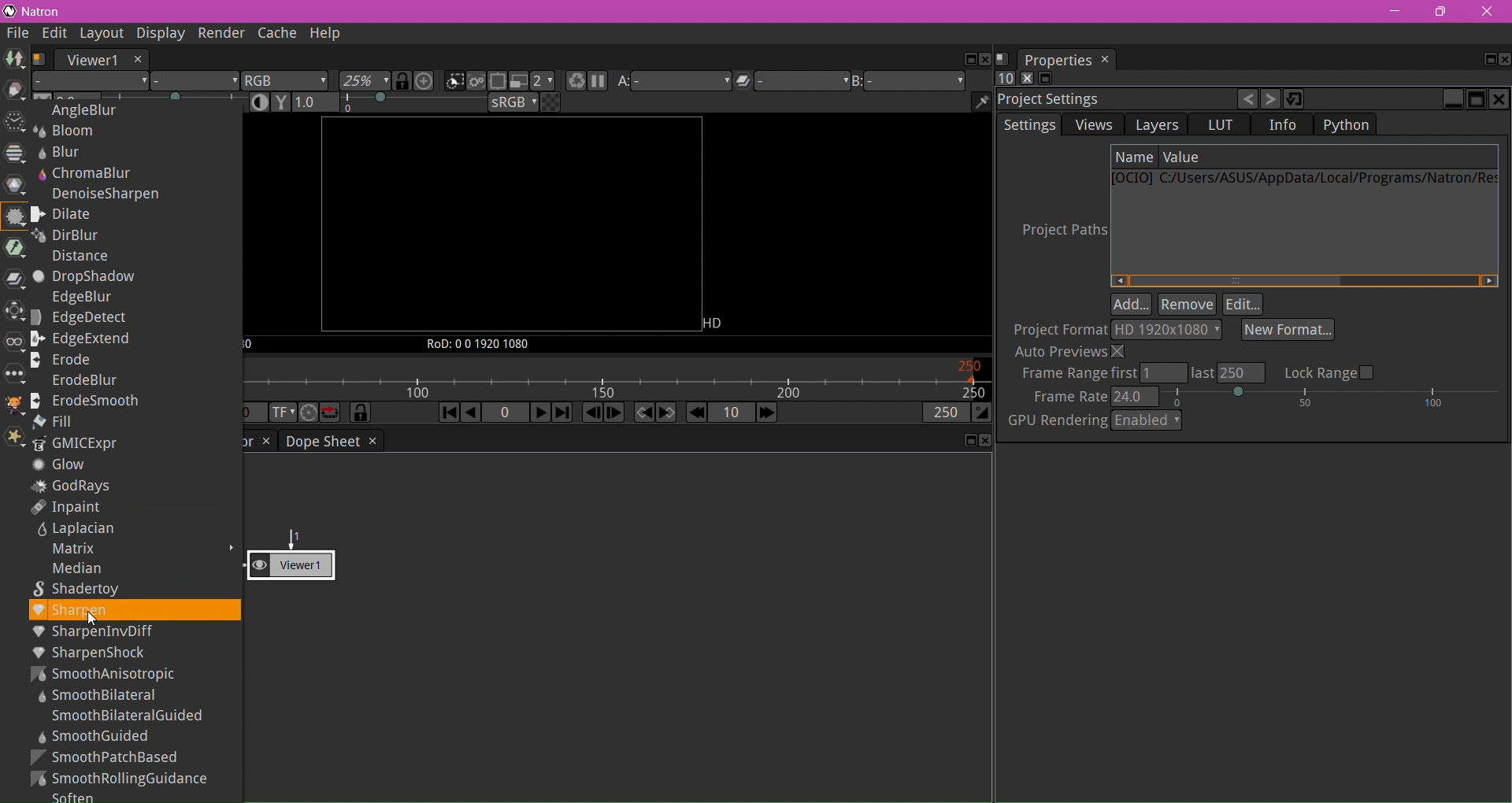 This screenshot has height=803, width=1512. What do you see at coordinates (718, 322) in the screenshot?
I see `Image format` at bounding box center [718, 322].